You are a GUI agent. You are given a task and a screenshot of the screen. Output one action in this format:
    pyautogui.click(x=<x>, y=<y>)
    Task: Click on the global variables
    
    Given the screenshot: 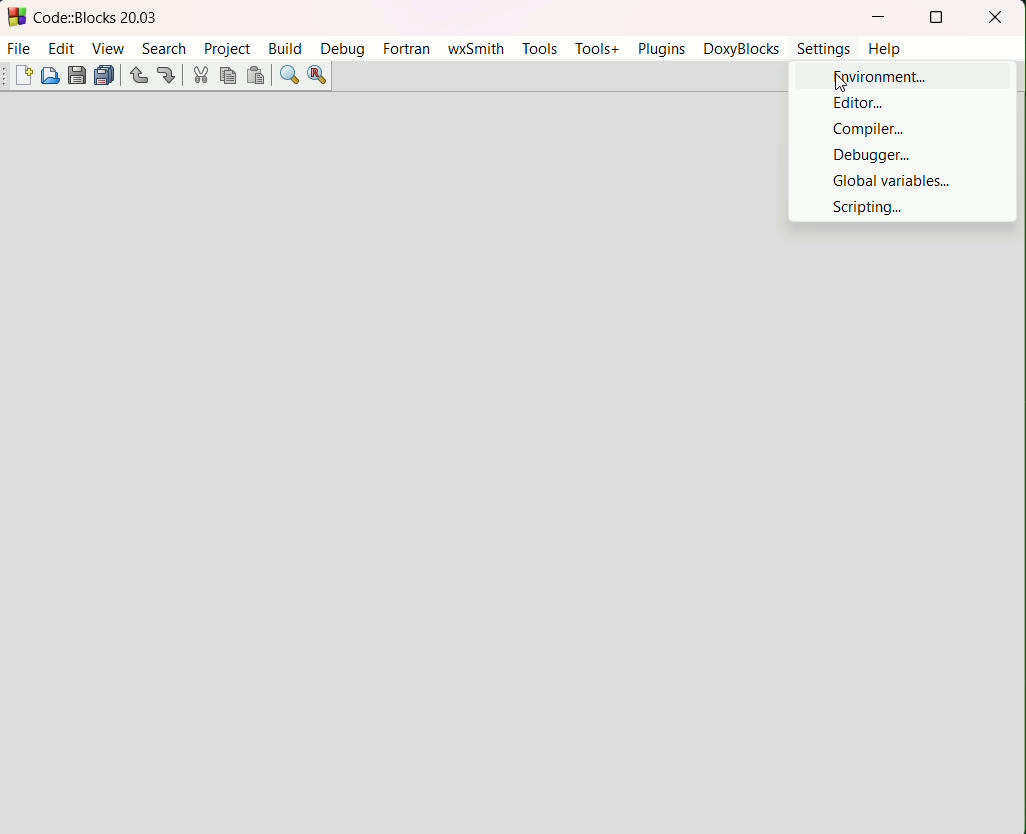 What is the action you would take?
    pyautogui.click(x=888, y=182)
    